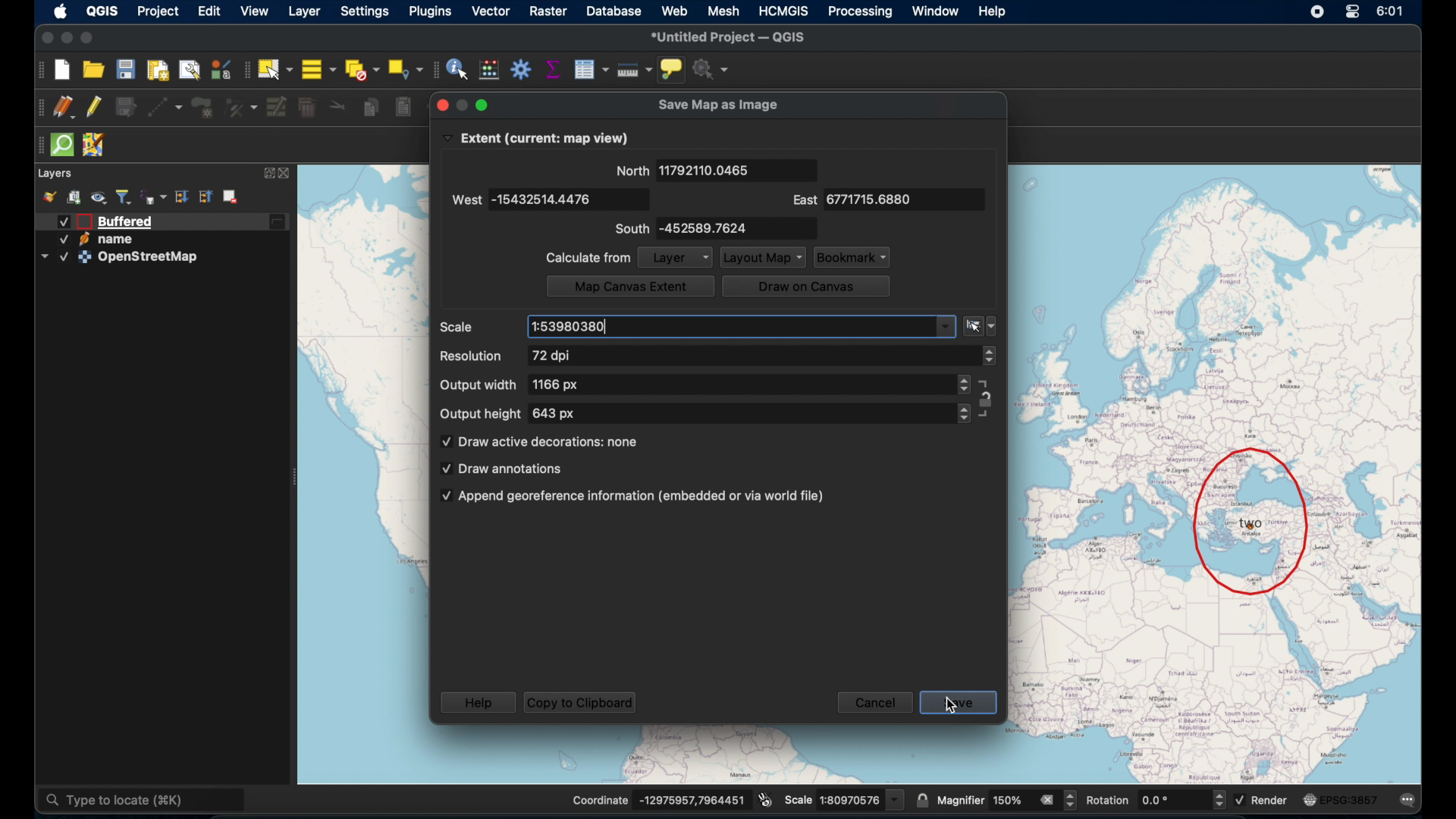  I want to click on bookmark, so click(855, 257).